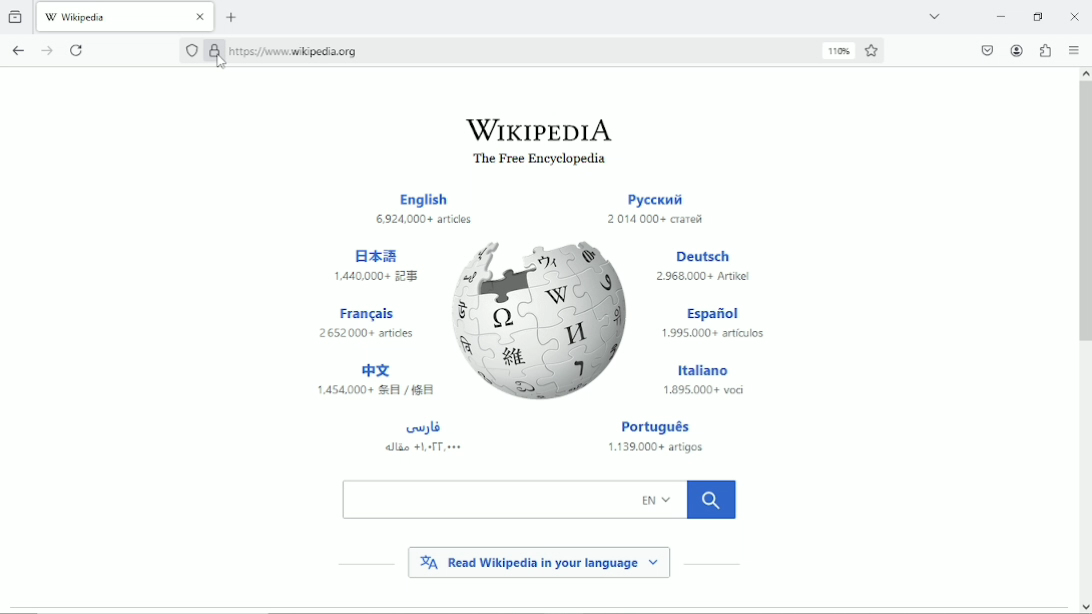 This screenshot has width=1092, height=614. What do you see at coordinates (839, 50) in the screenshot?
I see `zoom factor` at bounding box center [839, 50].